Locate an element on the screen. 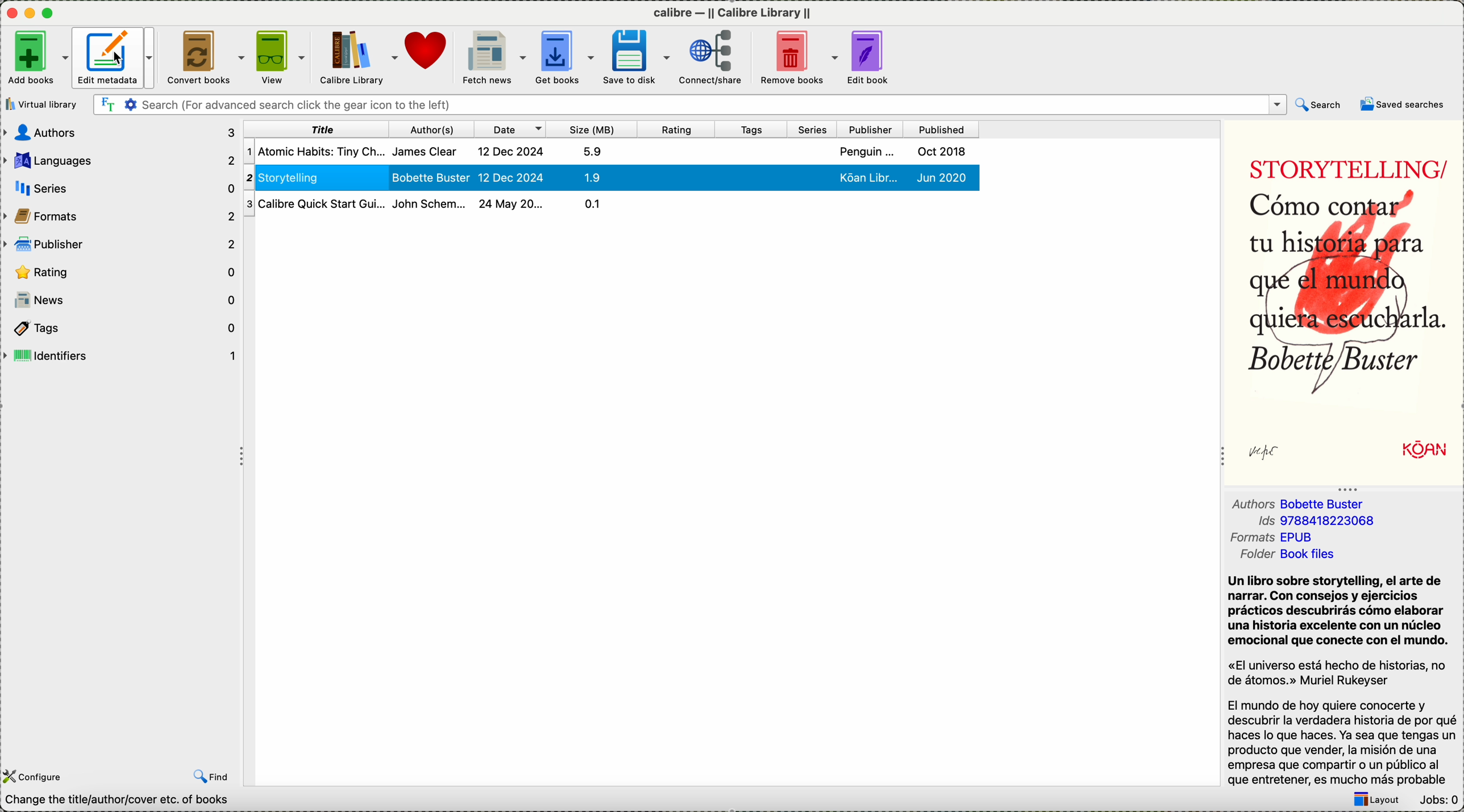 This screenshot has height=812, width=1464. rating is located at coordinates (678, 130).